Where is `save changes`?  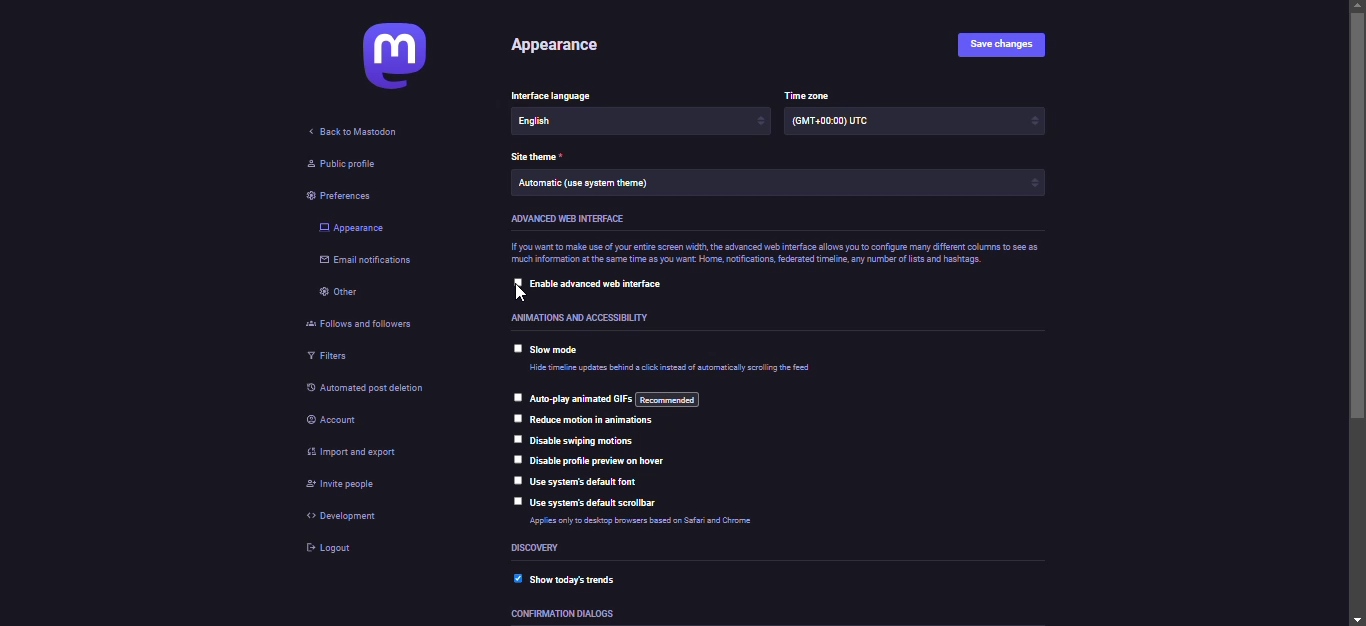 save changes is located at coordinates (1004, 44).